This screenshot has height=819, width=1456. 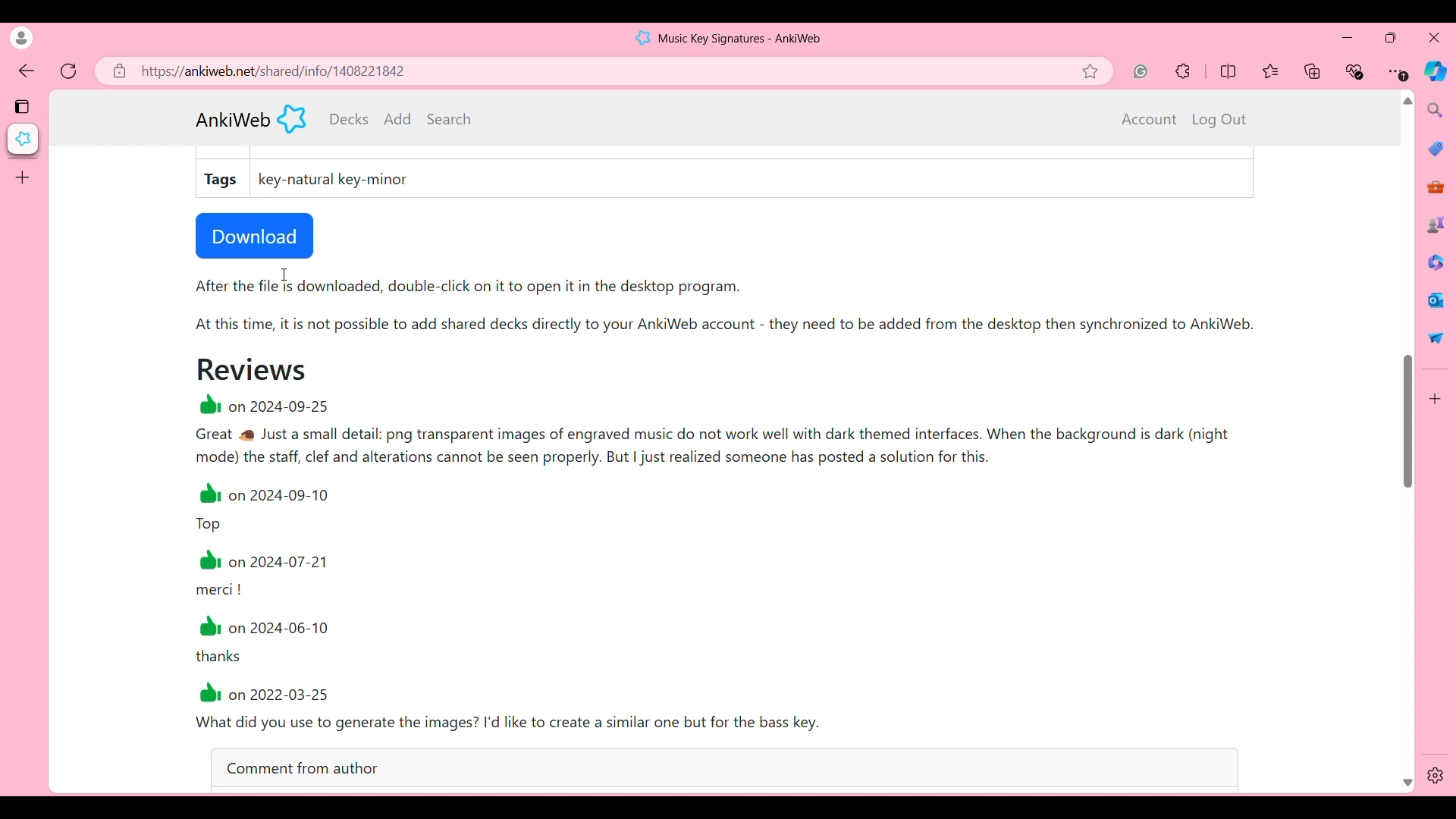 What do you see at coordinates (1141, 71) in the screenshot?
I see `Grammarly extension` at bounding box center [1141, 71].